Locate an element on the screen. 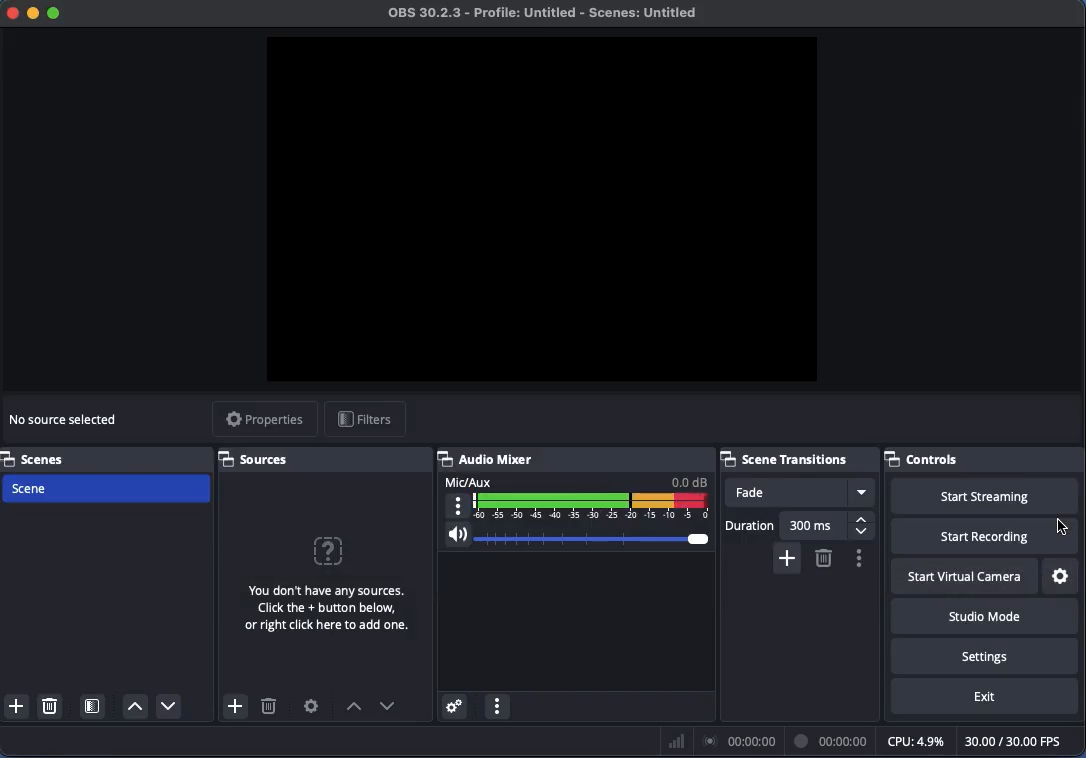 The image size is (1086, 758). Options is located at coordinates (858, 558).